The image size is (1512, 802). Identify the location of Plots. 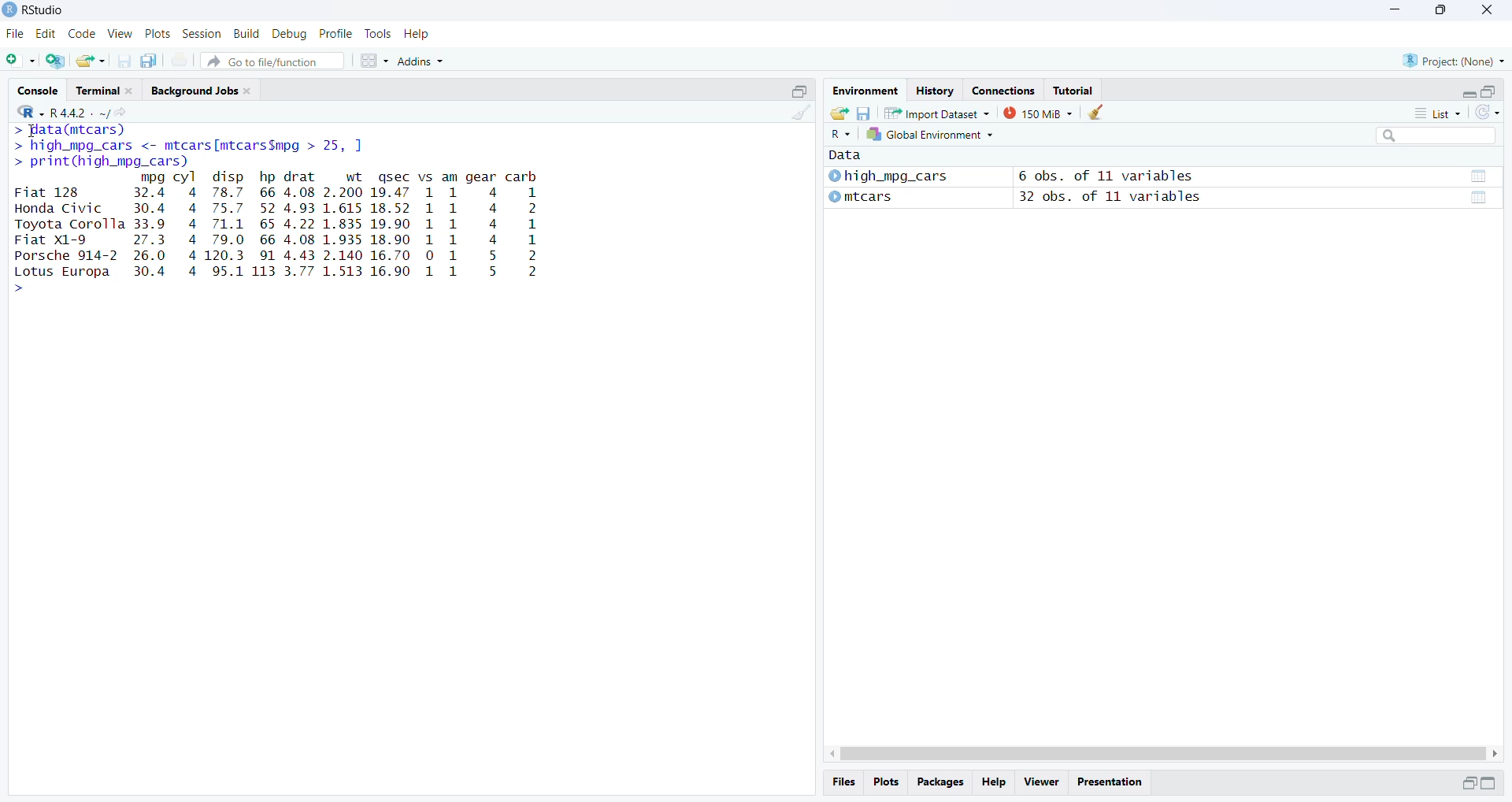
(157, 34).